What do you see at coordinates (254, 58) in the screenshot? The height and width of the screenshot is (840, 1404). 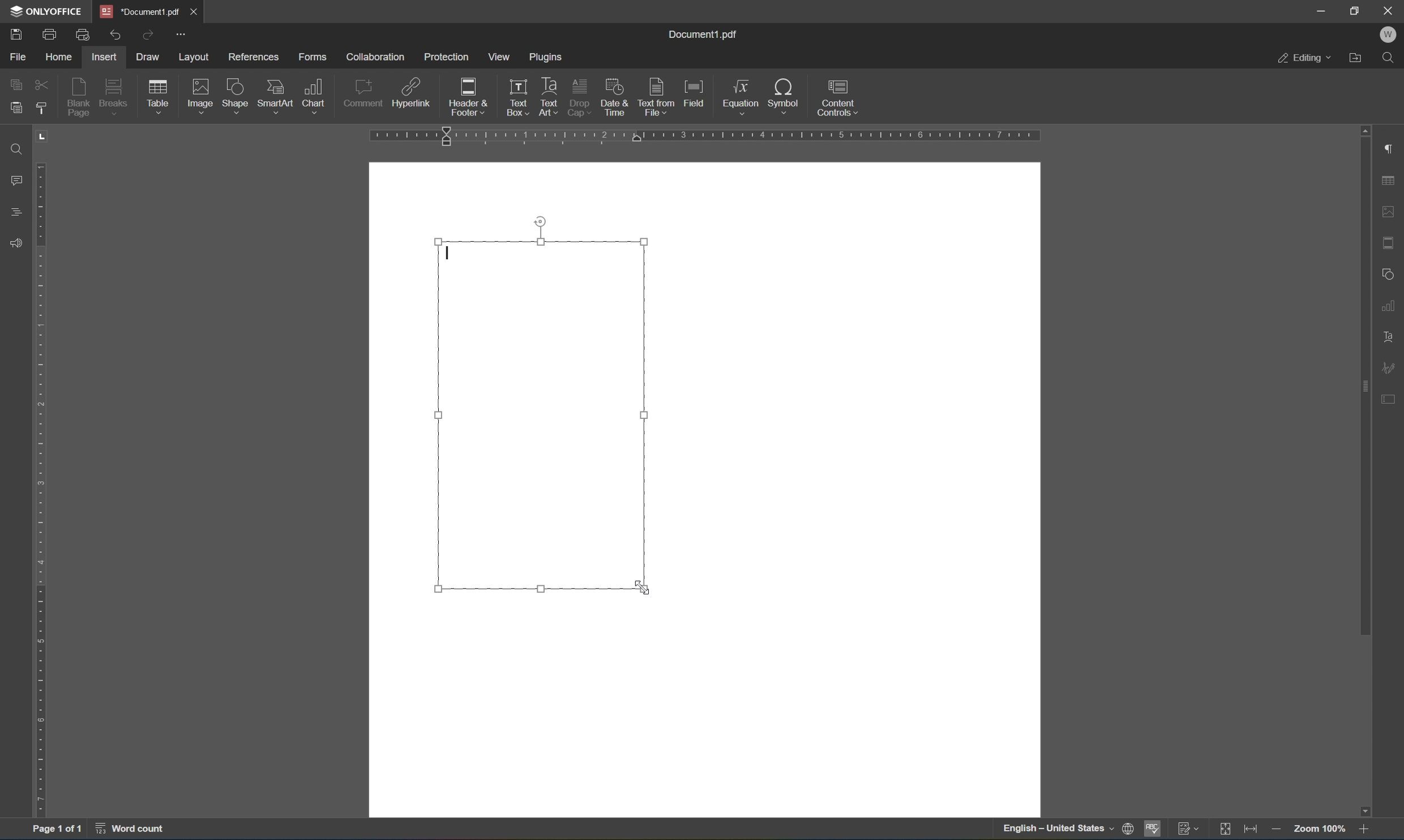 I see `references` at bounding box center [254, 58].